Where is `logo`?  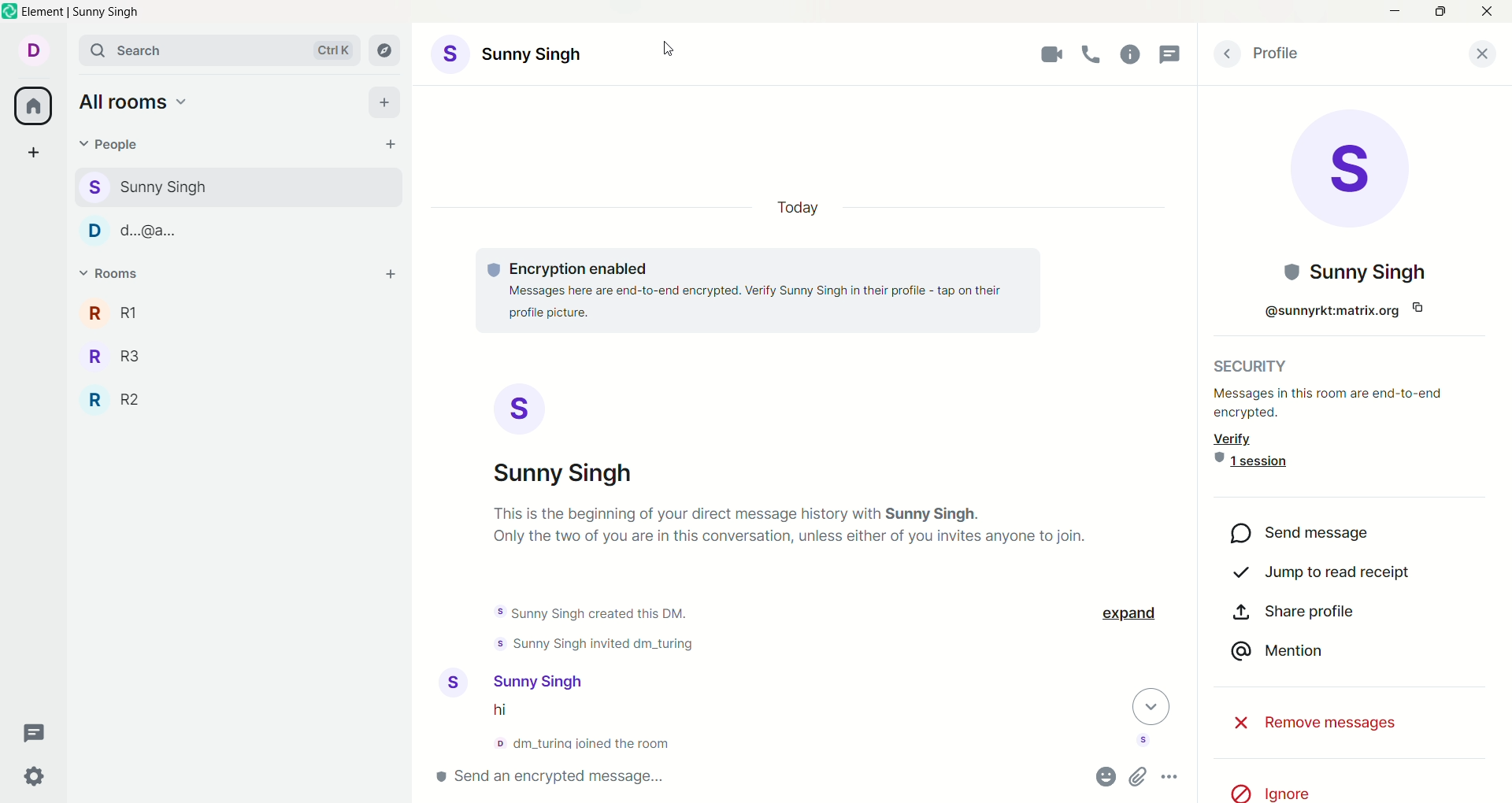 logo is located at coordinates (10, 13).